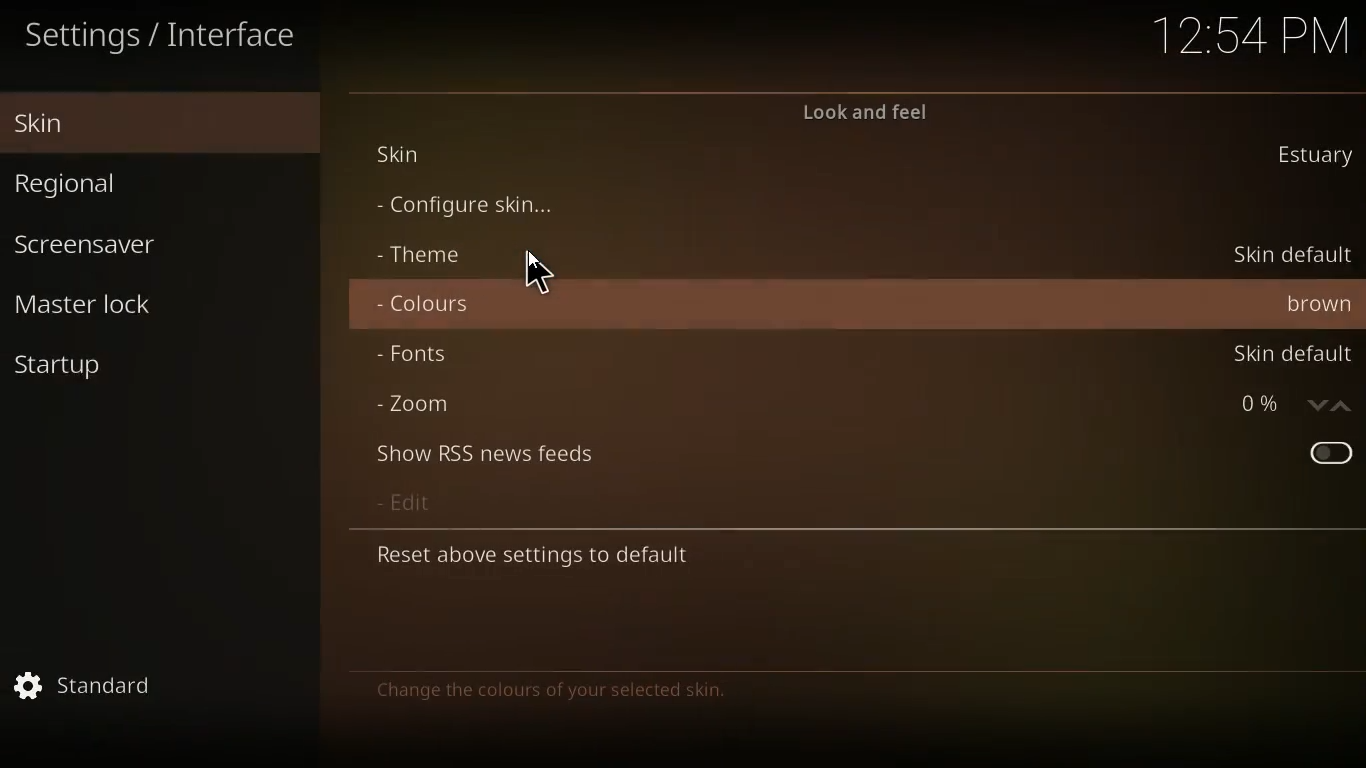  What do you see at coordinates (541, 275) in the screenshot?
I see `cursor` at bounding box center [541, 275].